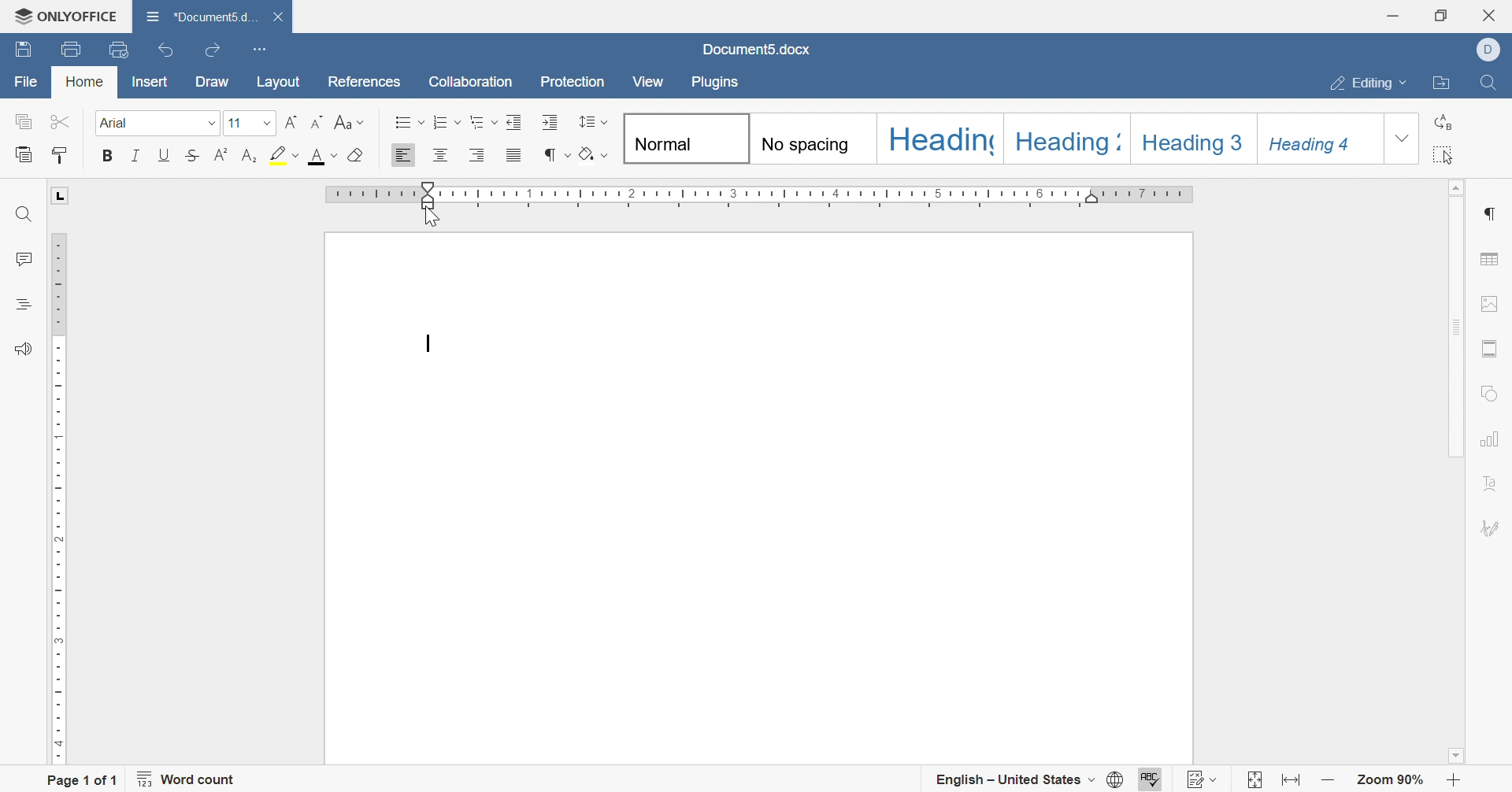 The width and height of the screenshot is (1512, 792). I want to click on strikethrough, so click(195, 154).